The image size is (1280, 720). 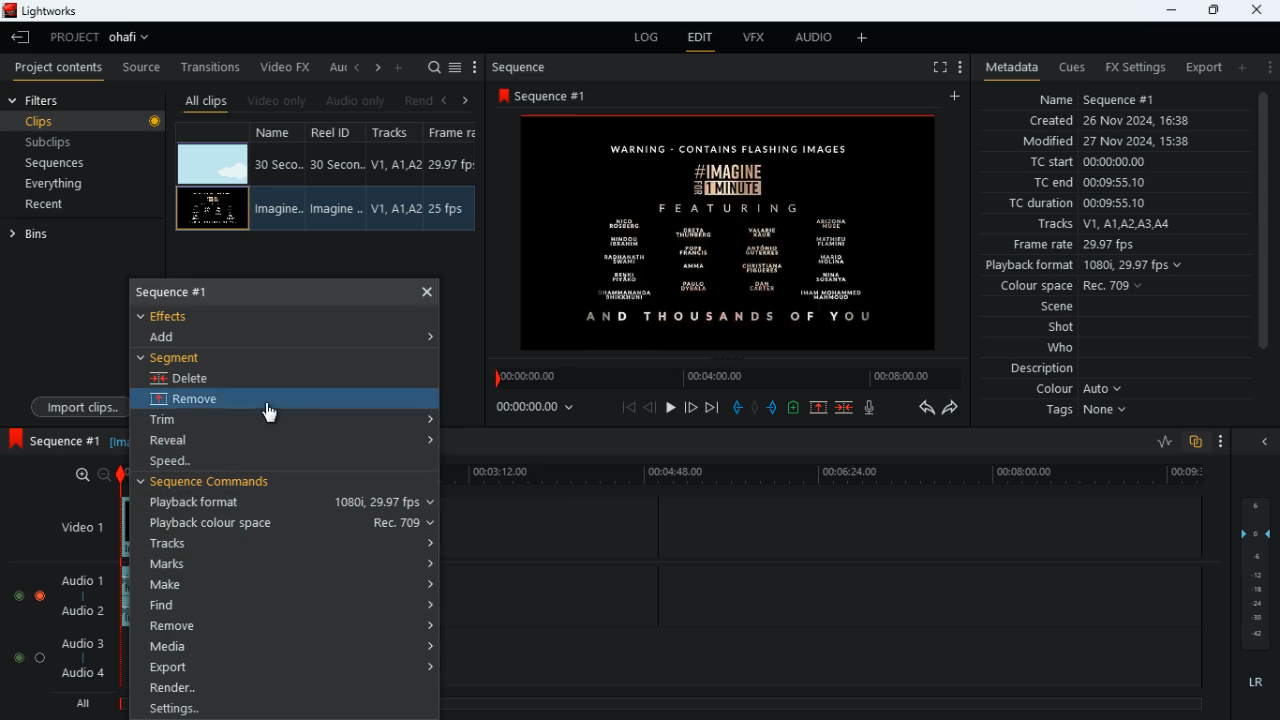 What do you see at coordinates (338, 66) in the screenshot?
I see `au` at bounding box center [338, 66].